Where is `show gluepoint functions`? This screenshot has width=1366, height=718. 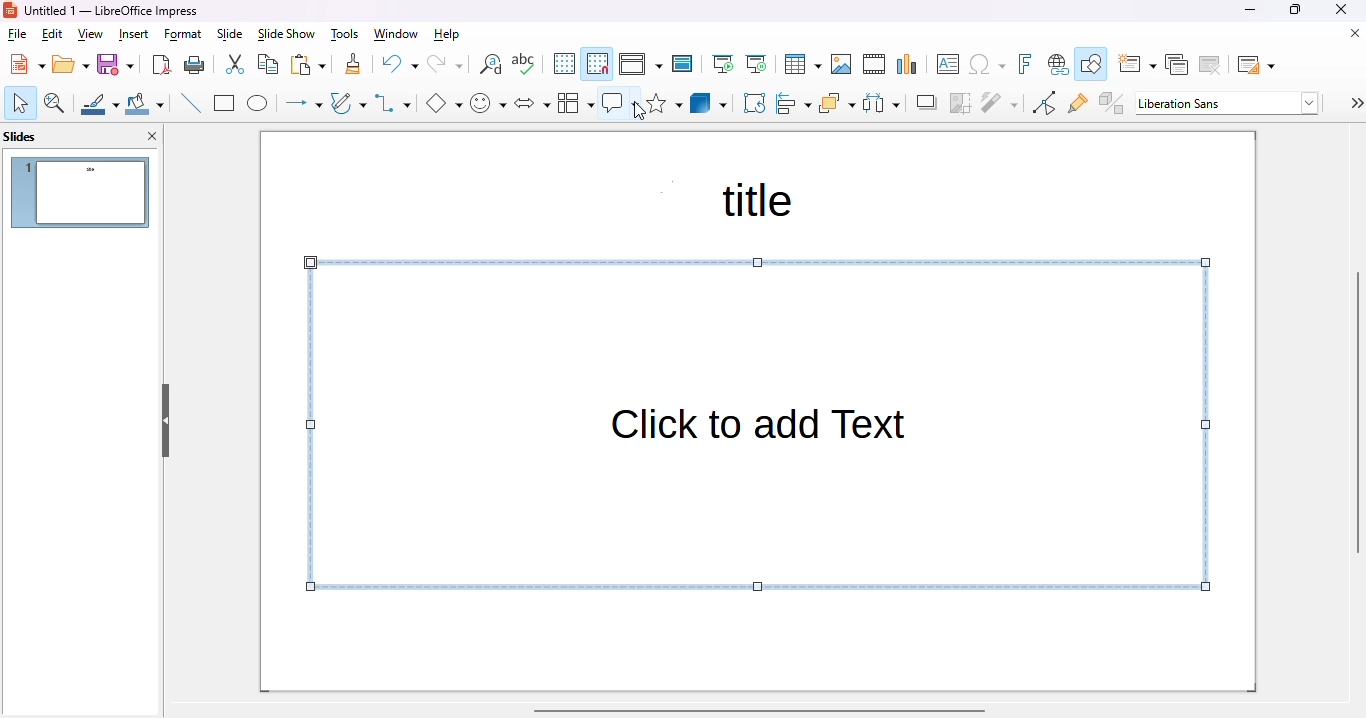
show gluepoint functions is located at coordinates (1078, 103).